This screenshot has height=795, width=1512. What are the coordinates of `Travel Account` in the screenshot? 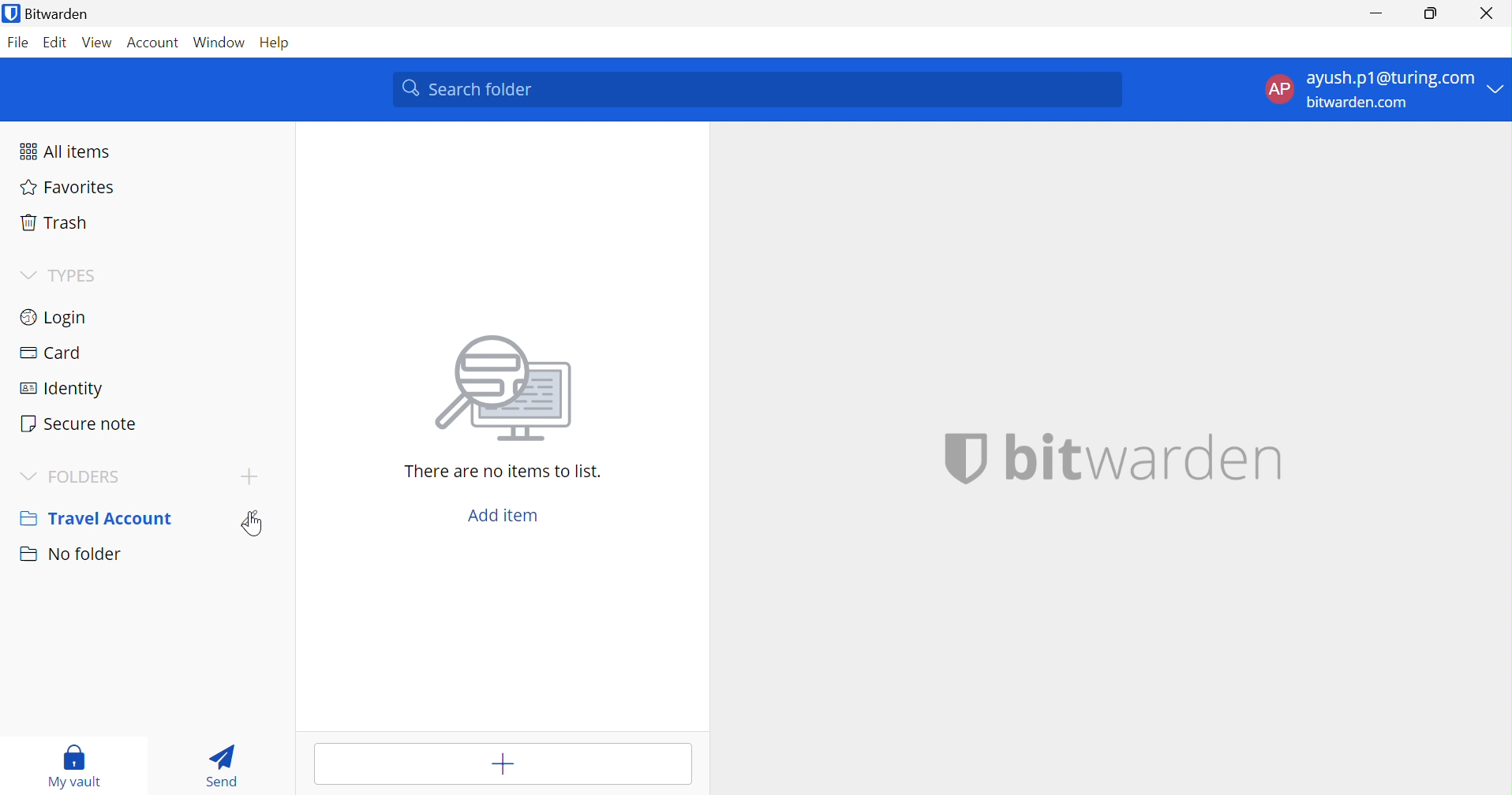 It's located at (97, 517).